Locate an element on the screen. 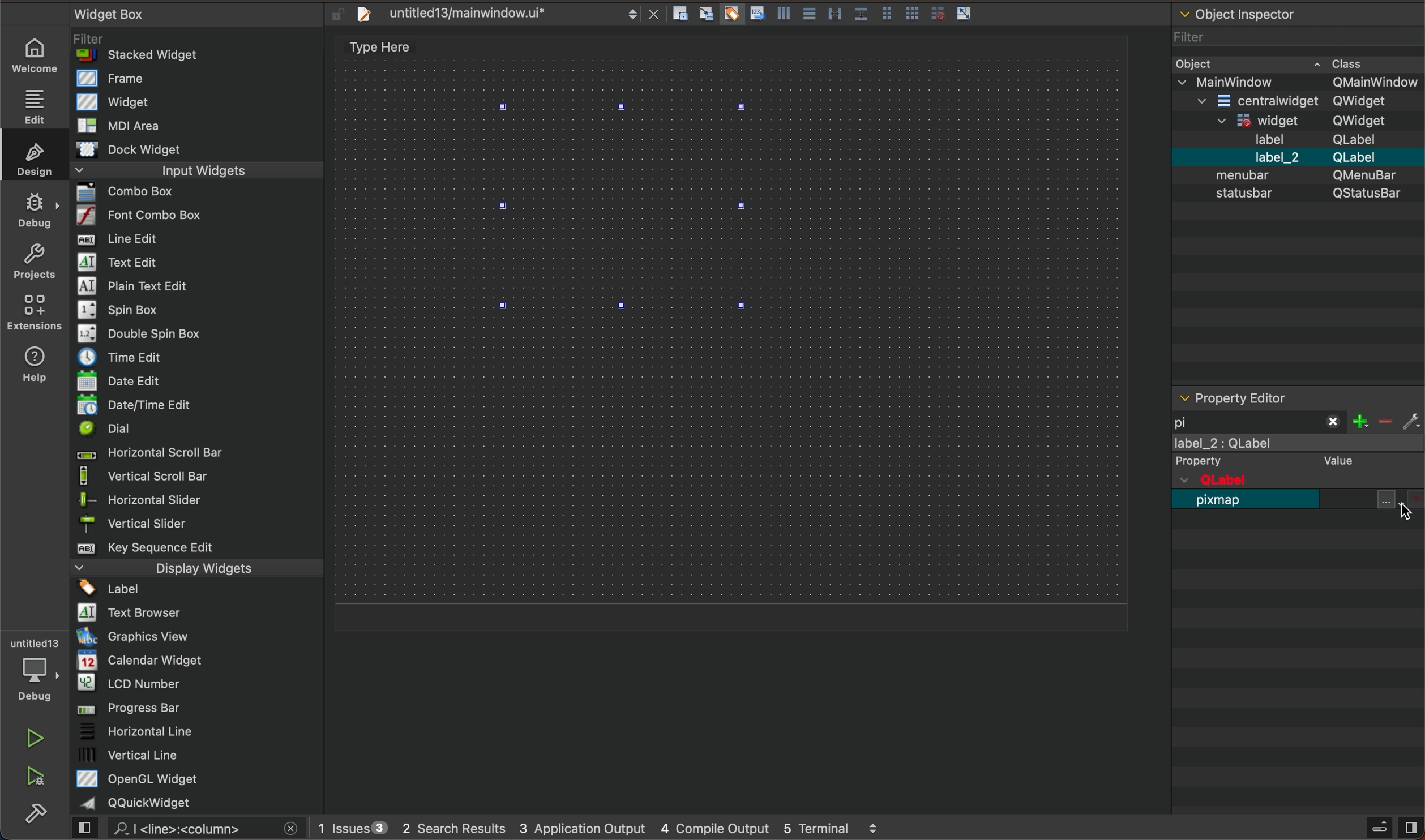  file tab is located at coordinates (503, 16).